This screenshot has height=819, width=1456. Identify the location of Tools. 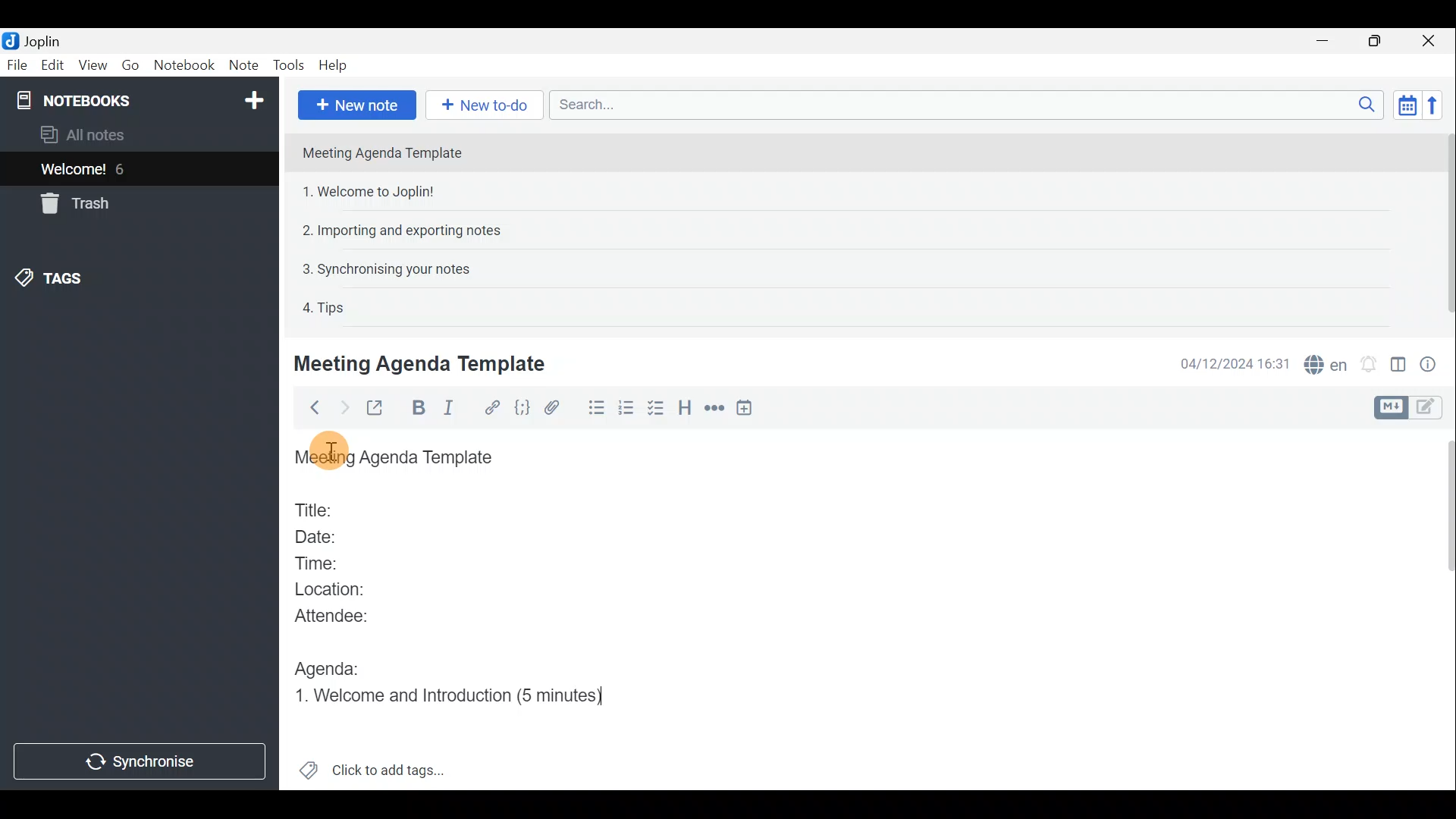
(287, 63).